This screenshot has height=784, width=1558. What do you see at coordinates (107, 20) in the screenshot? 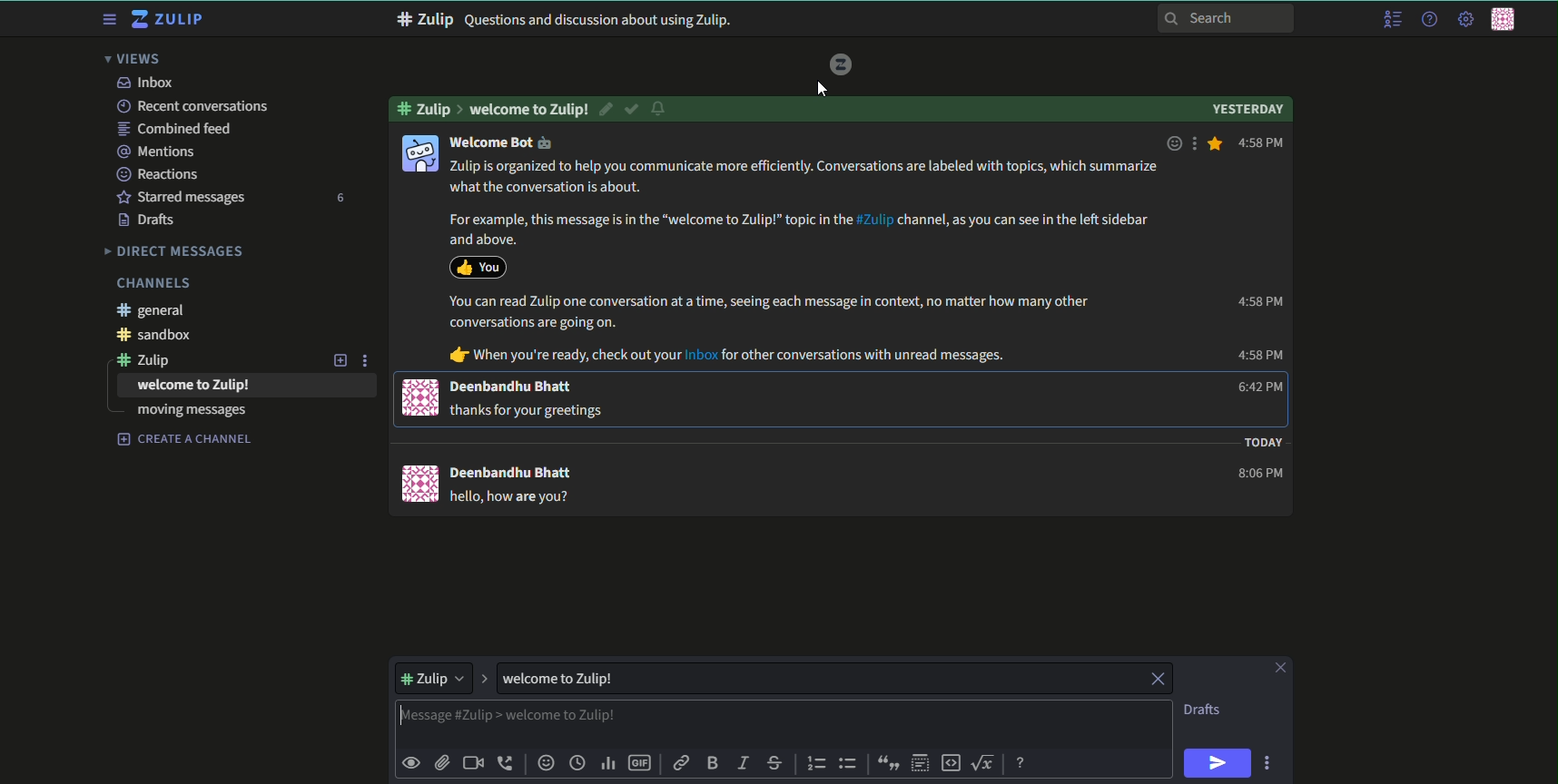
I see `menu` at bounding box center [107, 20].